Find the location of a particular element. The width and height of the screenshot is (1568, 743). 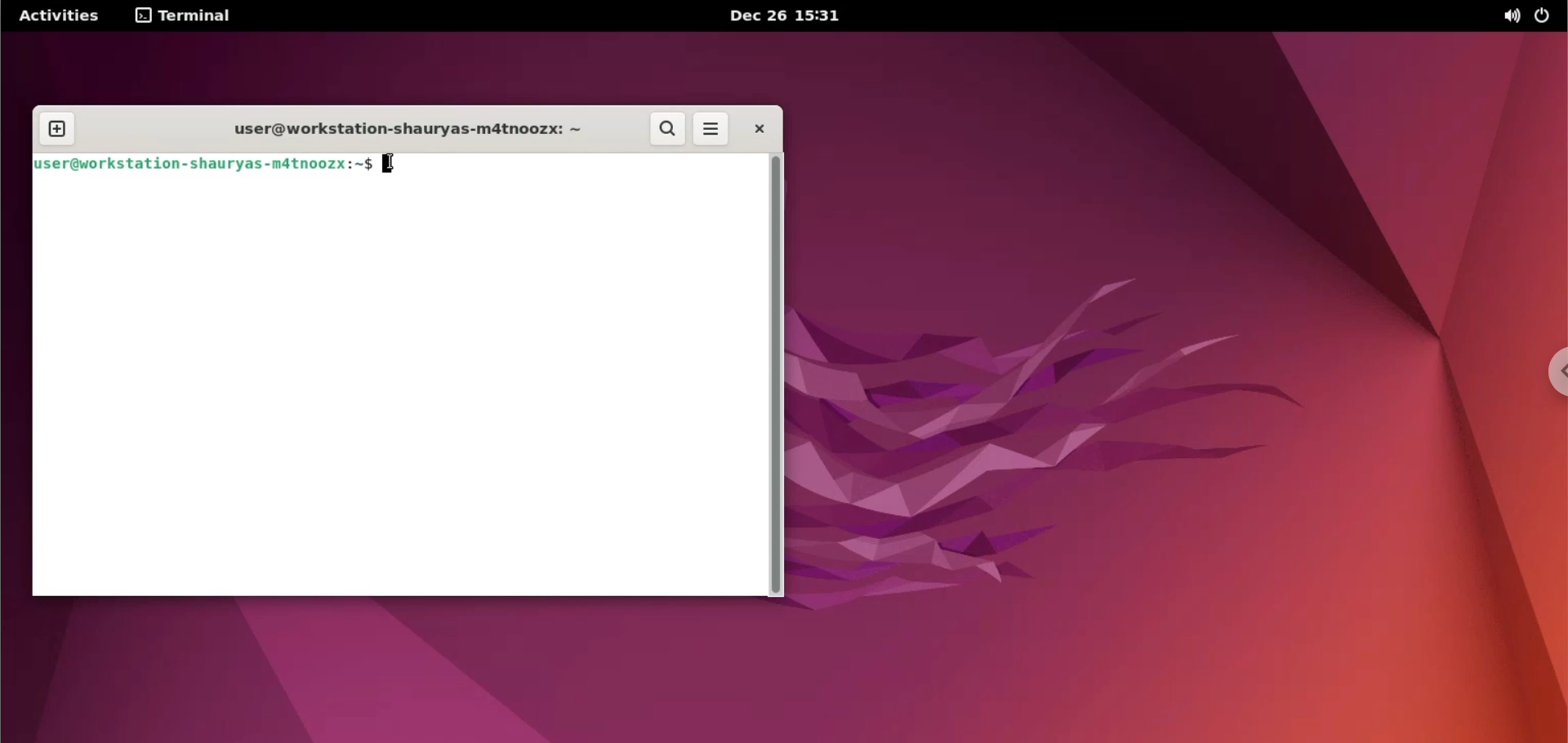

chrome options is located at coordinates (1553, 370).